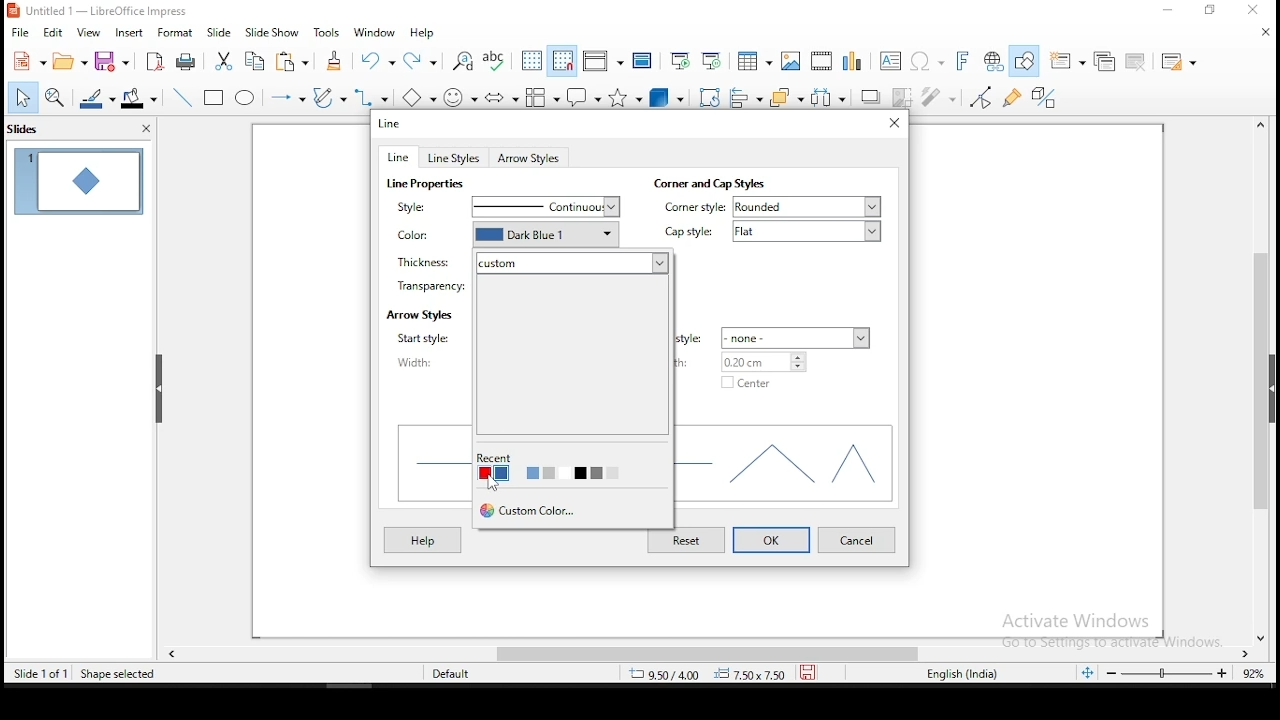 The image size is (1280, 720). I want to click on line, so click(391, 124).